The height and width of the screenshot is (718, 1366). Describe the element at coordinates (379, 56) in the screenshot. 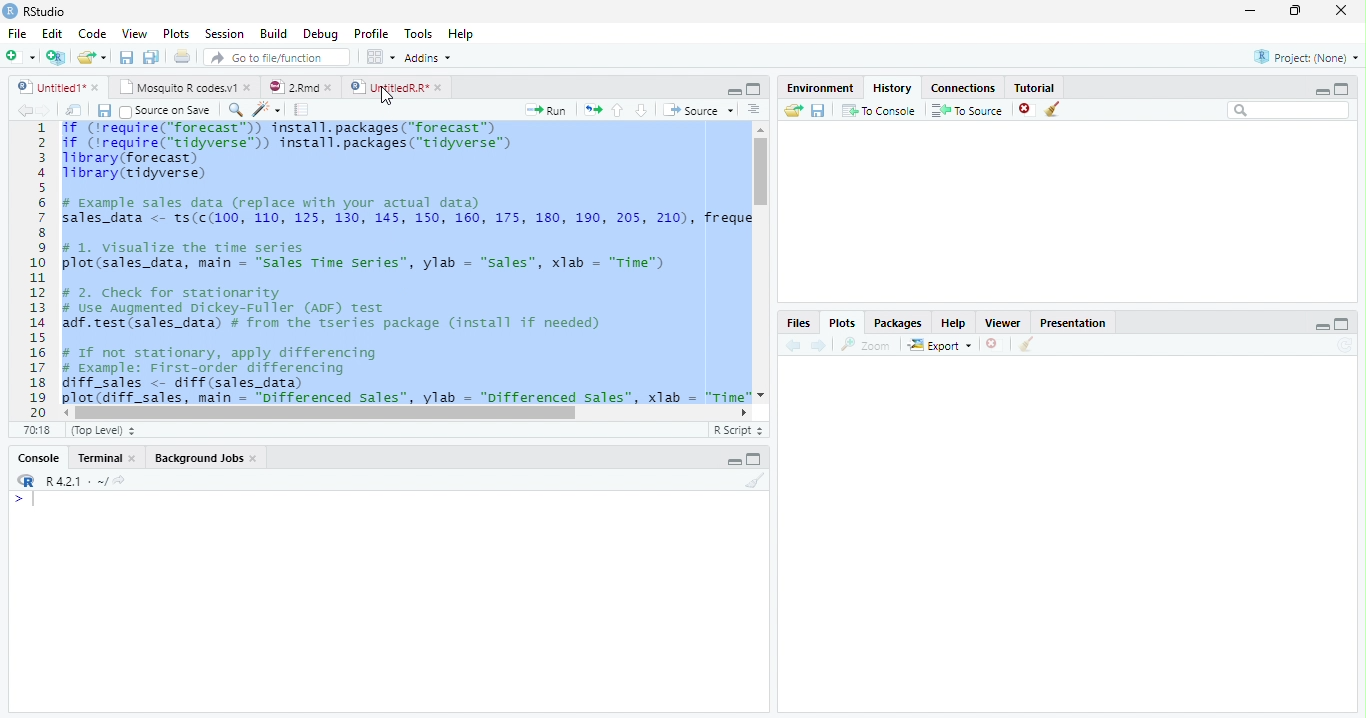

I see `Workplace panes` at that location.